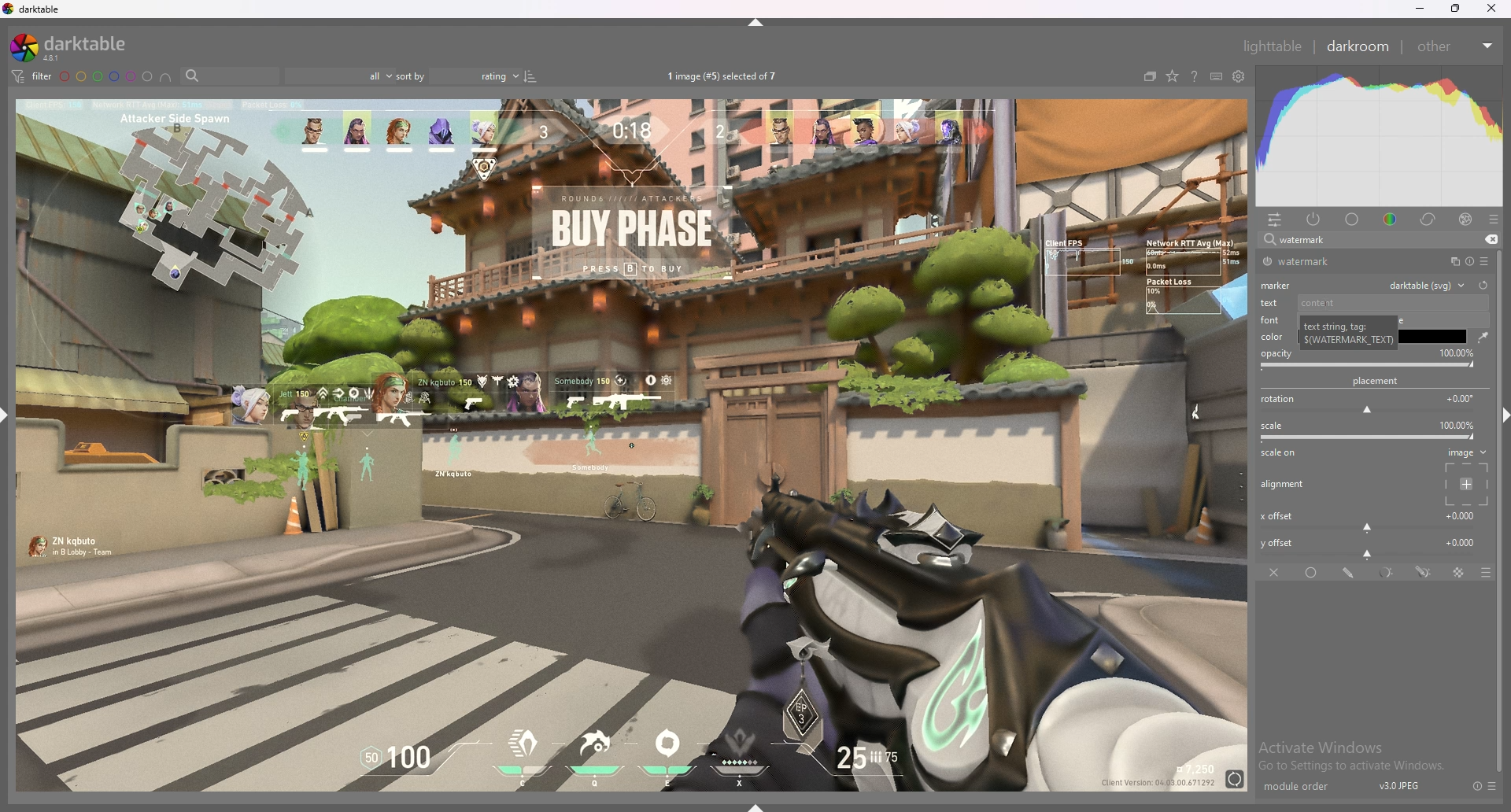 Image resolution: width=1511 pixels, height=812 pixels. What do you see at coordinates (1150, 76) in the screenshot?
I see `collapse grouped image` at bounding box center [1150, 76].